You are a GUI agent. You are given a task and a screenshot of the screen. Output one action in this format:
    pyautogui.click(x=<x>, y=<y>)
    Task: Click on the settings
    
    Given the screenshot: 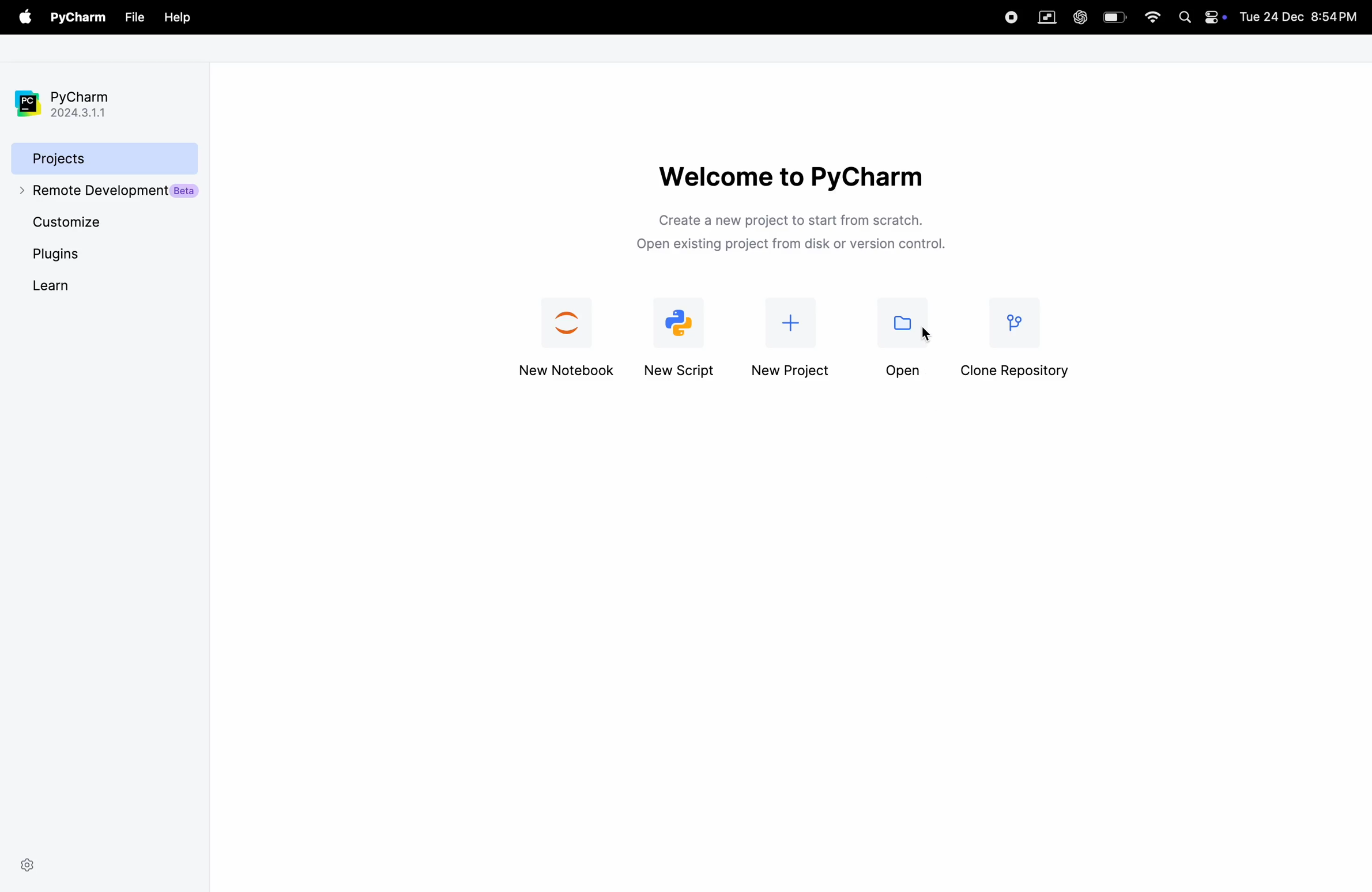 What is the action you would take?
    pyautogui.click(x=27, y=863)
    